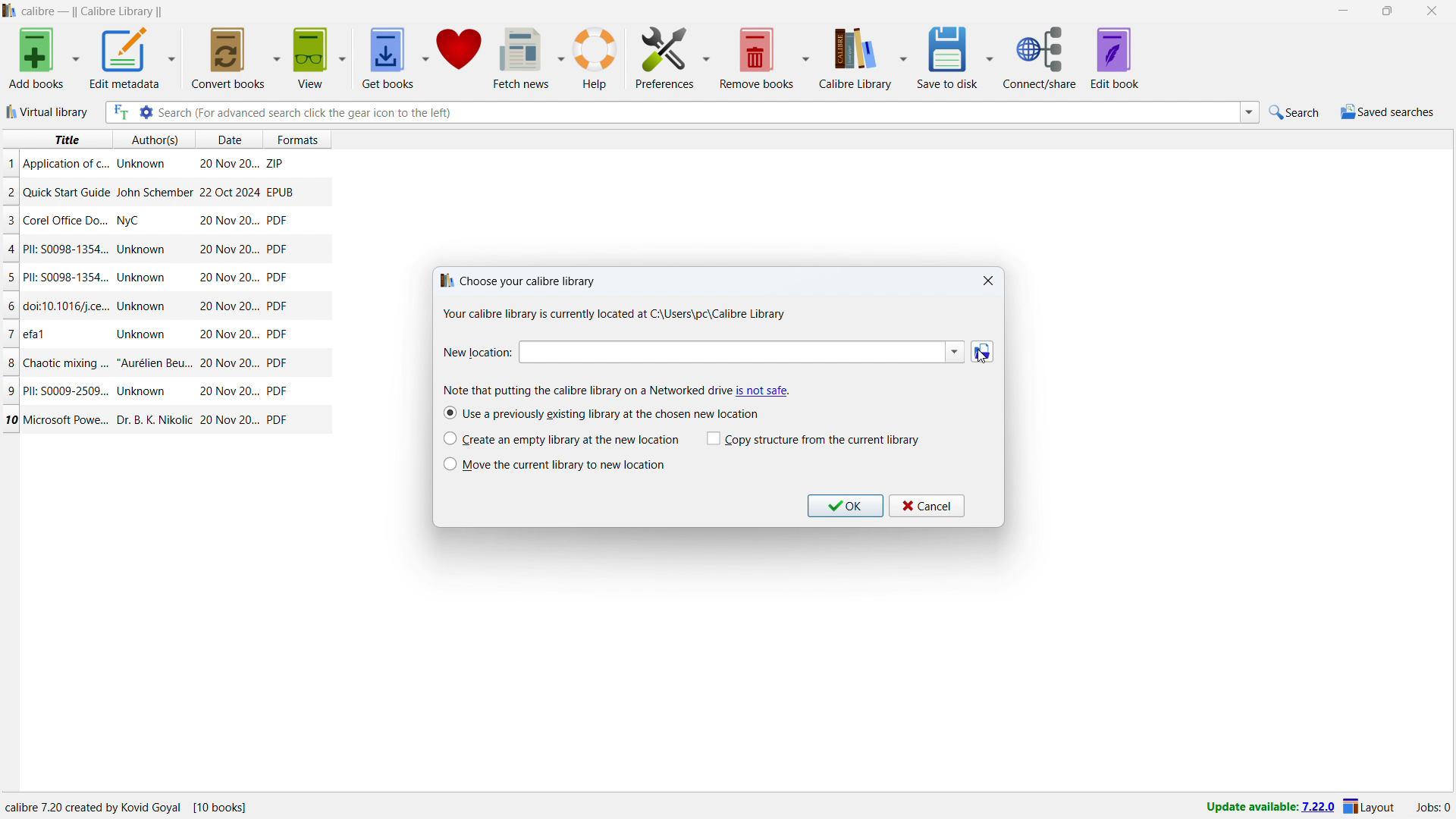  I want to click on remove books options, so click(805, 58).